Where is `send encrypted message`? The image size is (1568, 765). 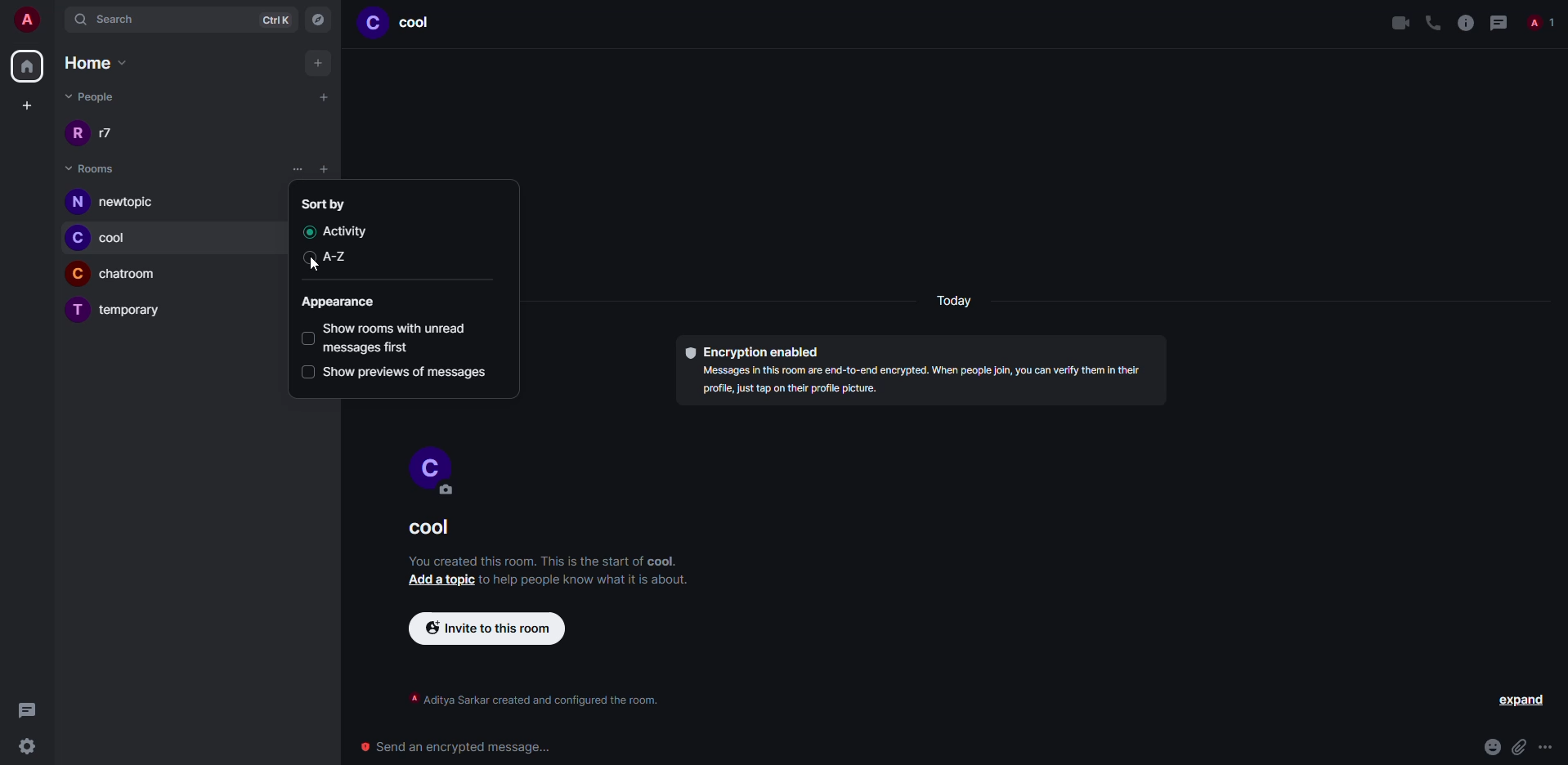 send encrypted message is located at coordinates (451, 748).